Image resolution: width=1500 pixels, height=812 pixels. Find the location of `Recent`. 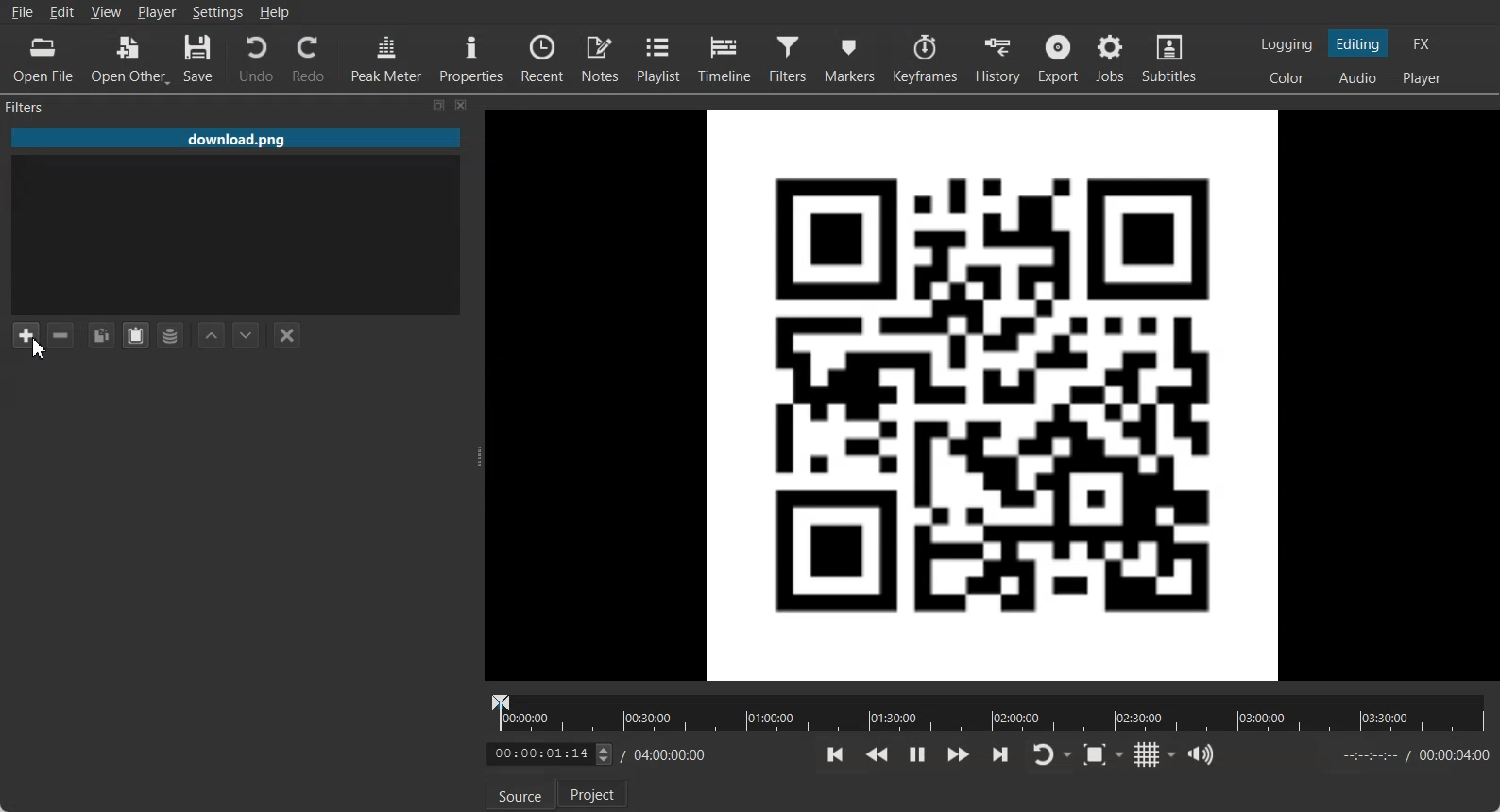

Recent is located at coordinates (542, 57).